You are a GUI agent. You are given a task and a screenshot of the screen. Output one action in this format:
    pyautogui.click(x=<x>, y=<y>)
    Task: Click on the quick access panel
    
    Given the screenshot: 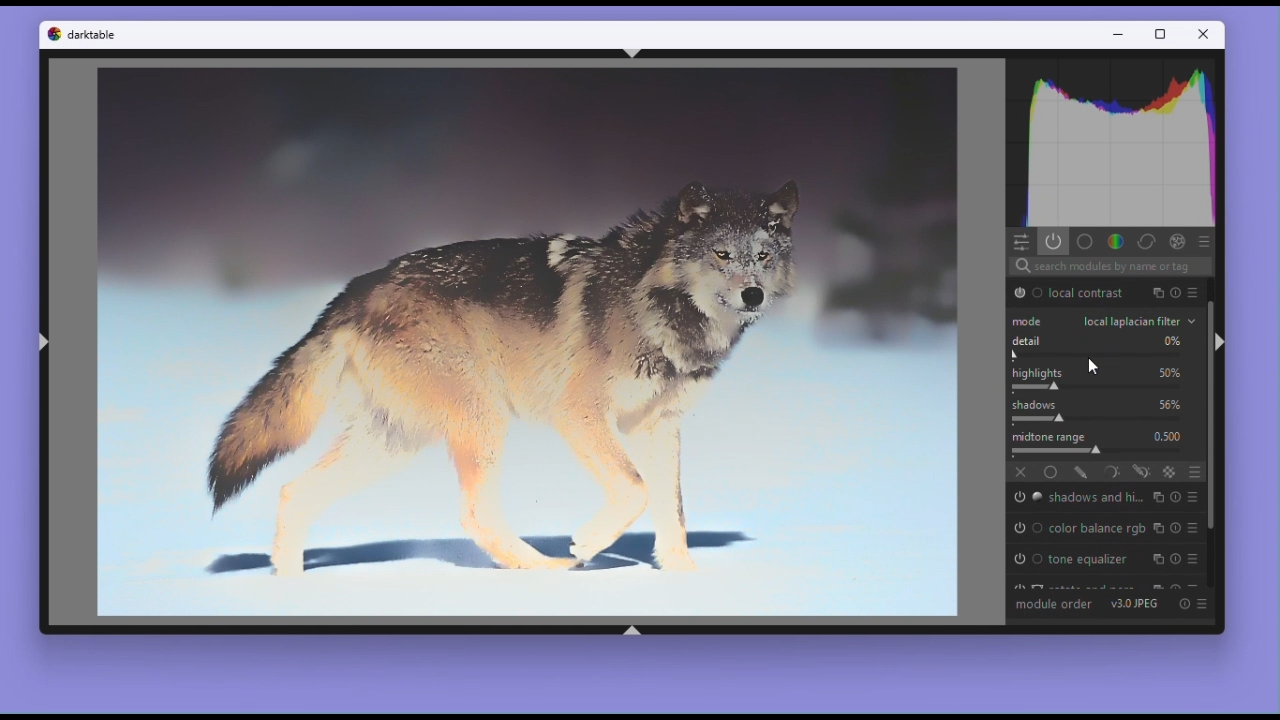 What is the action you would take?
    pyautogui.click(x=1020, y=242)
    